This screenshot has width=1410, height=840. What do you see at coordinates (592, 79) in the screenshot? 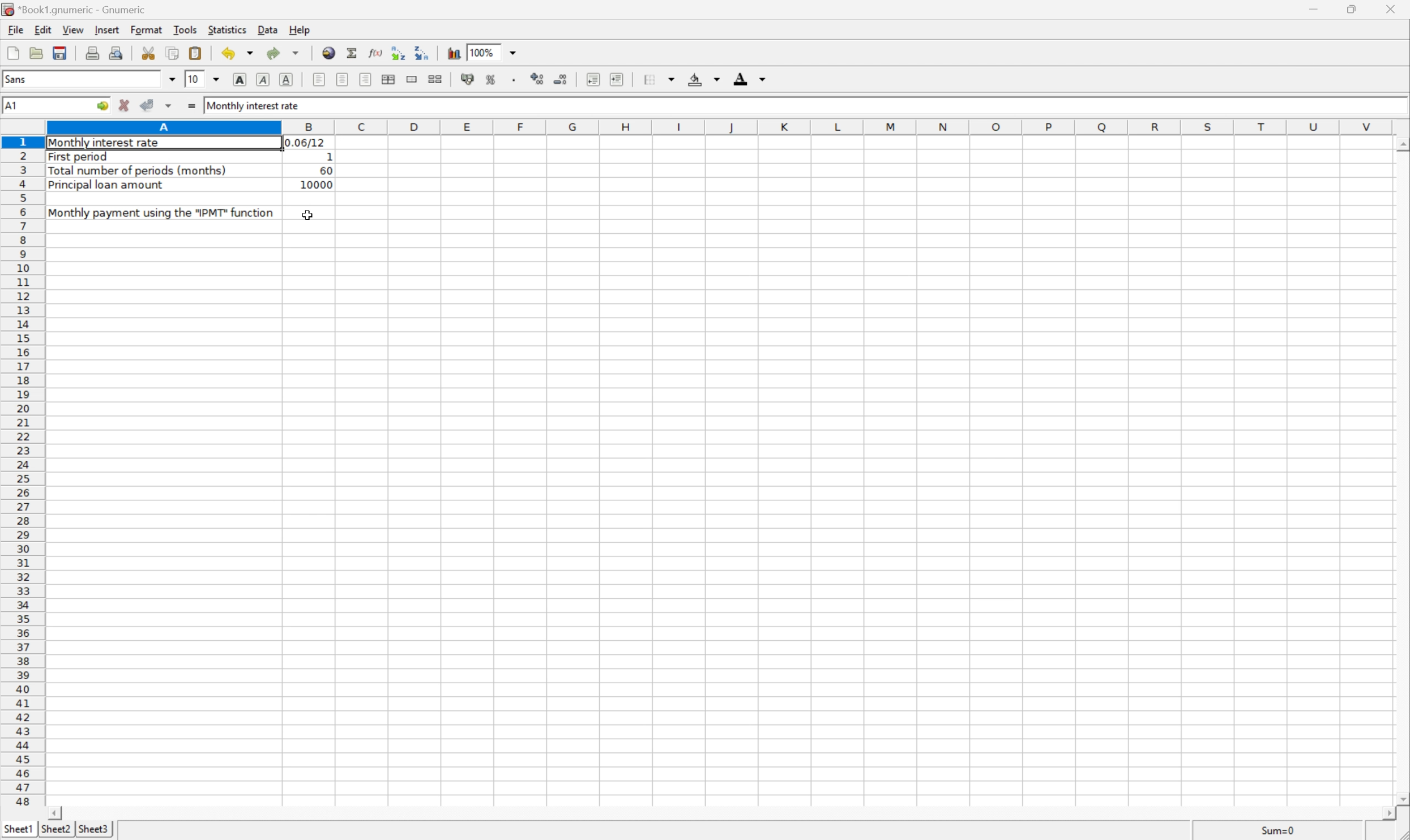
I see `Decrease indent, and align the contents to the left` at bounding box center [592, 79].